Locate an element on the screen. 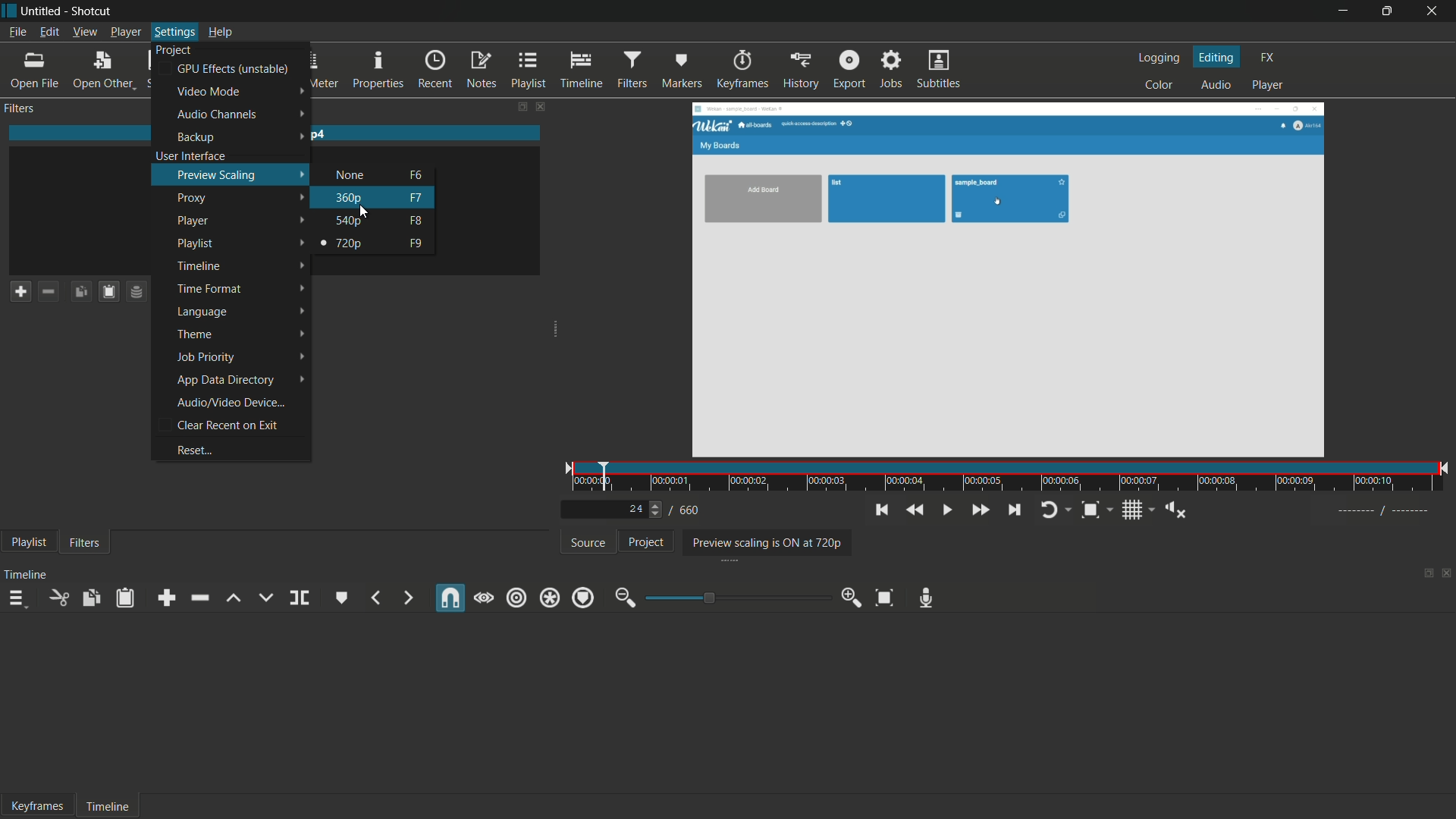  app data directory is located at coordinates (224, 379).